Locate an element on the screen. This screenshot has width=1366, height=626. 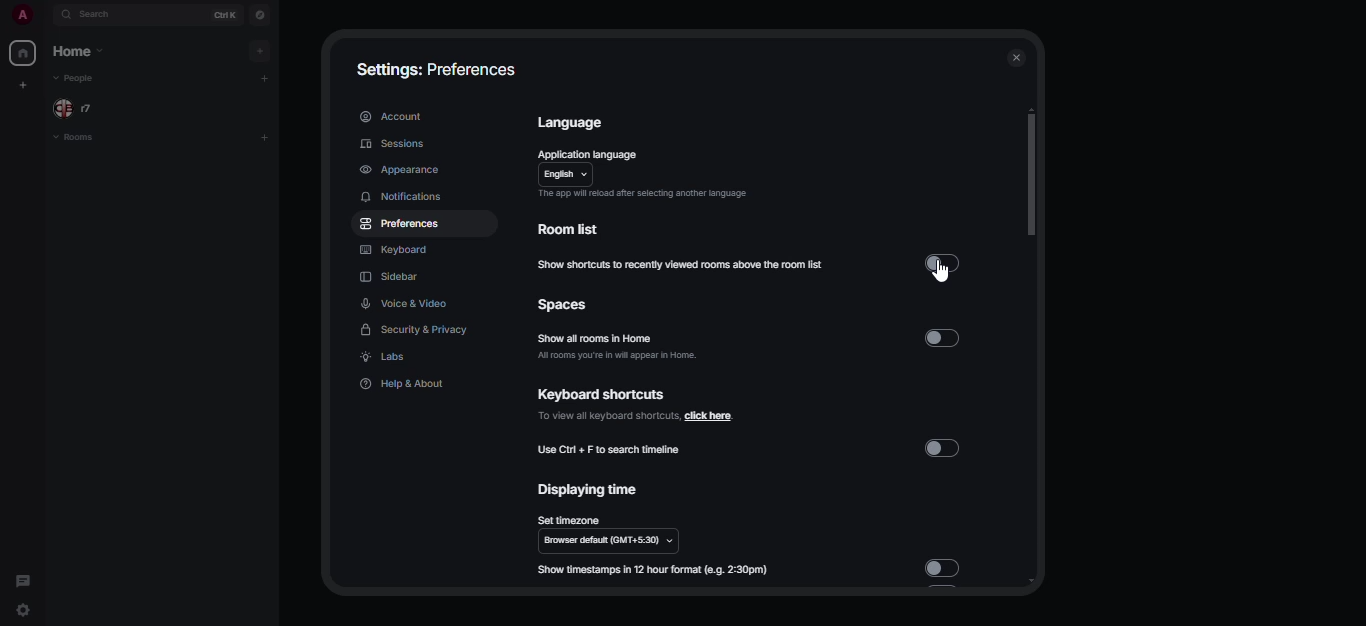
scroll bar is located at coordinates (1030, 173).